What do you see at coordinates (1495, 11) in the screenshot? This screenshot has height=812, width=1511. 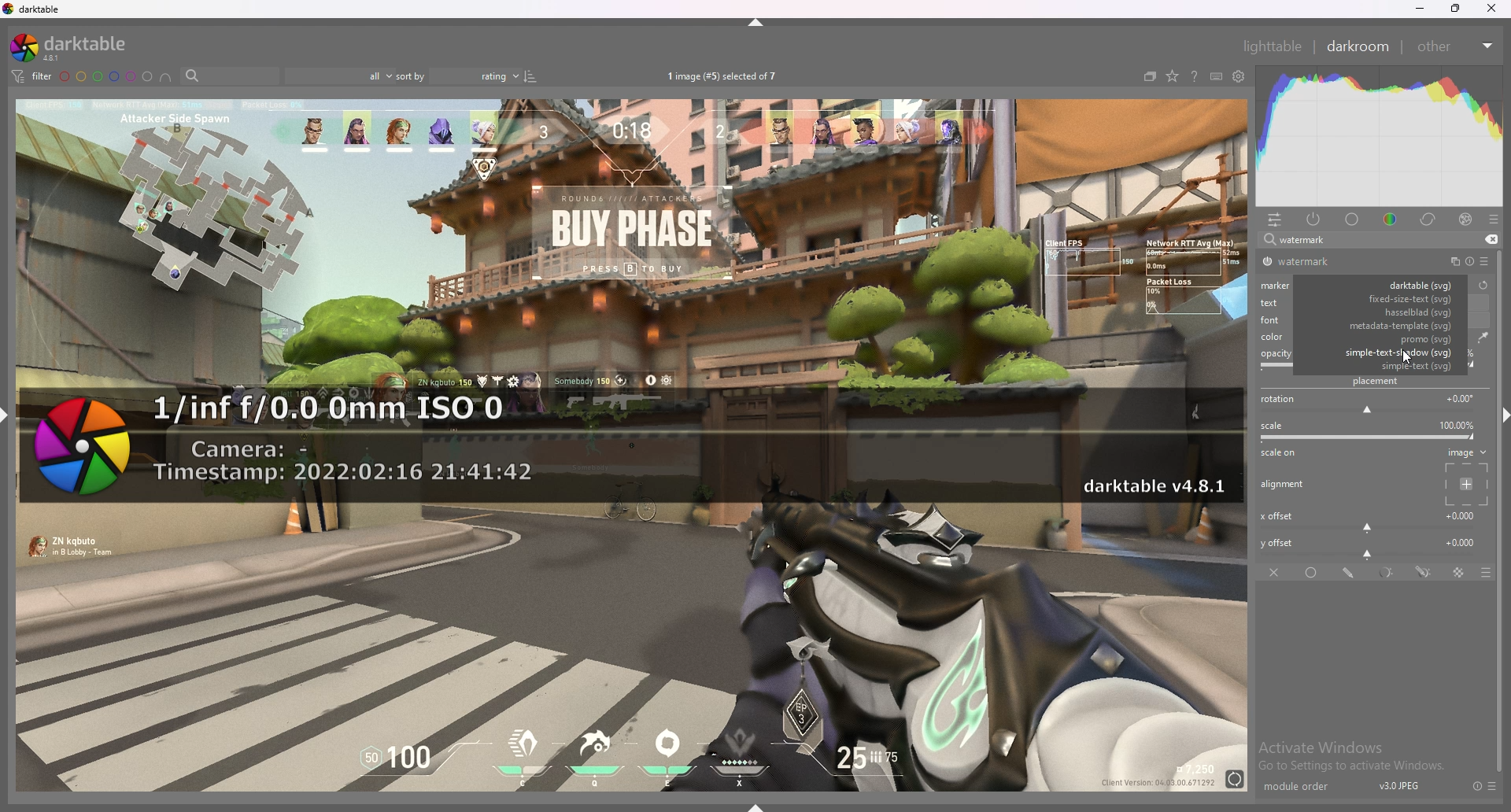 I see `Close` at bounding box center [1495, 11].